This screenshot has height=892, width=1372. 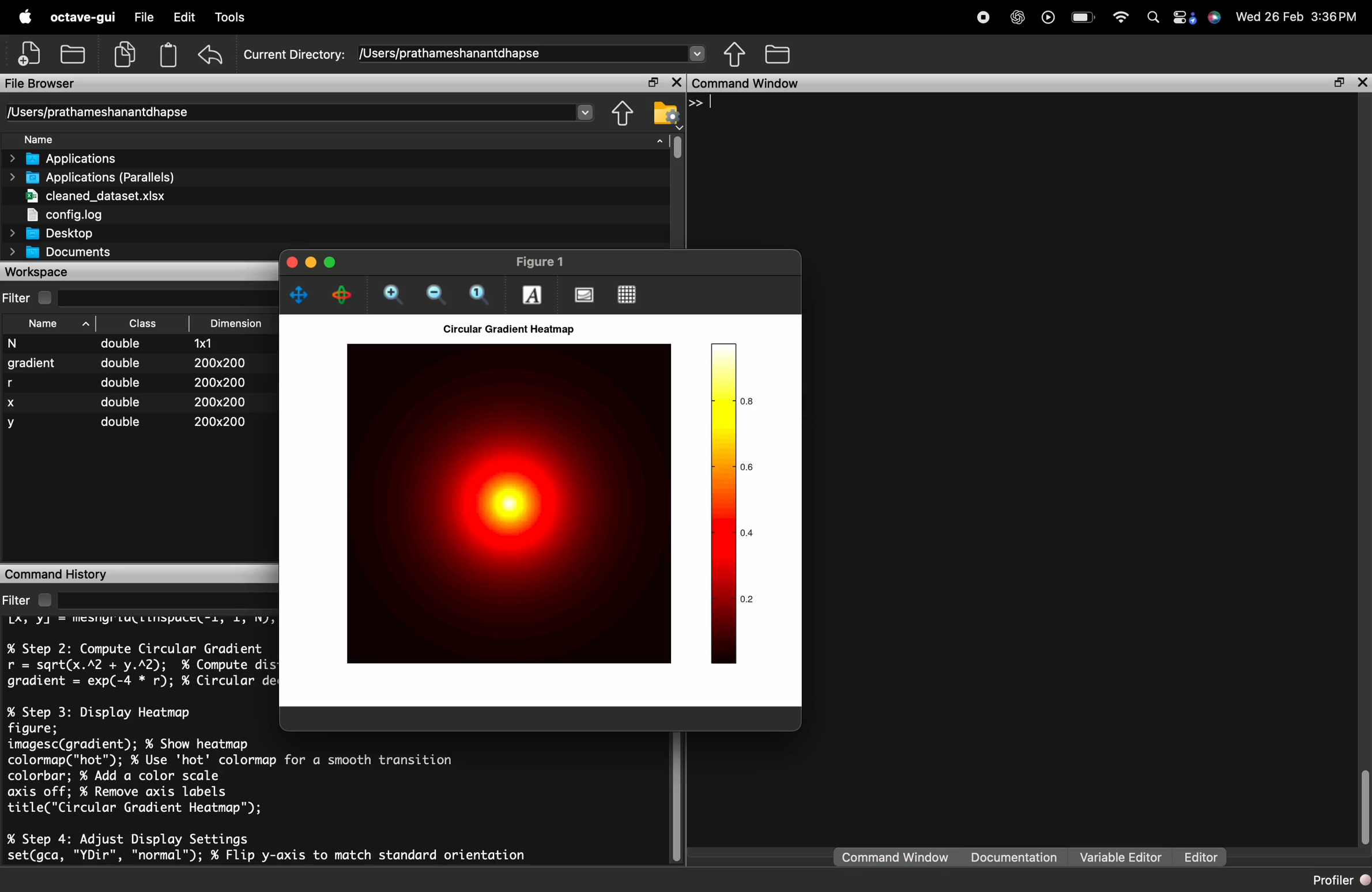 What do you see at coordinates (13, 384) in the screenshot?
I see `r` at bounding box center [13, 384].